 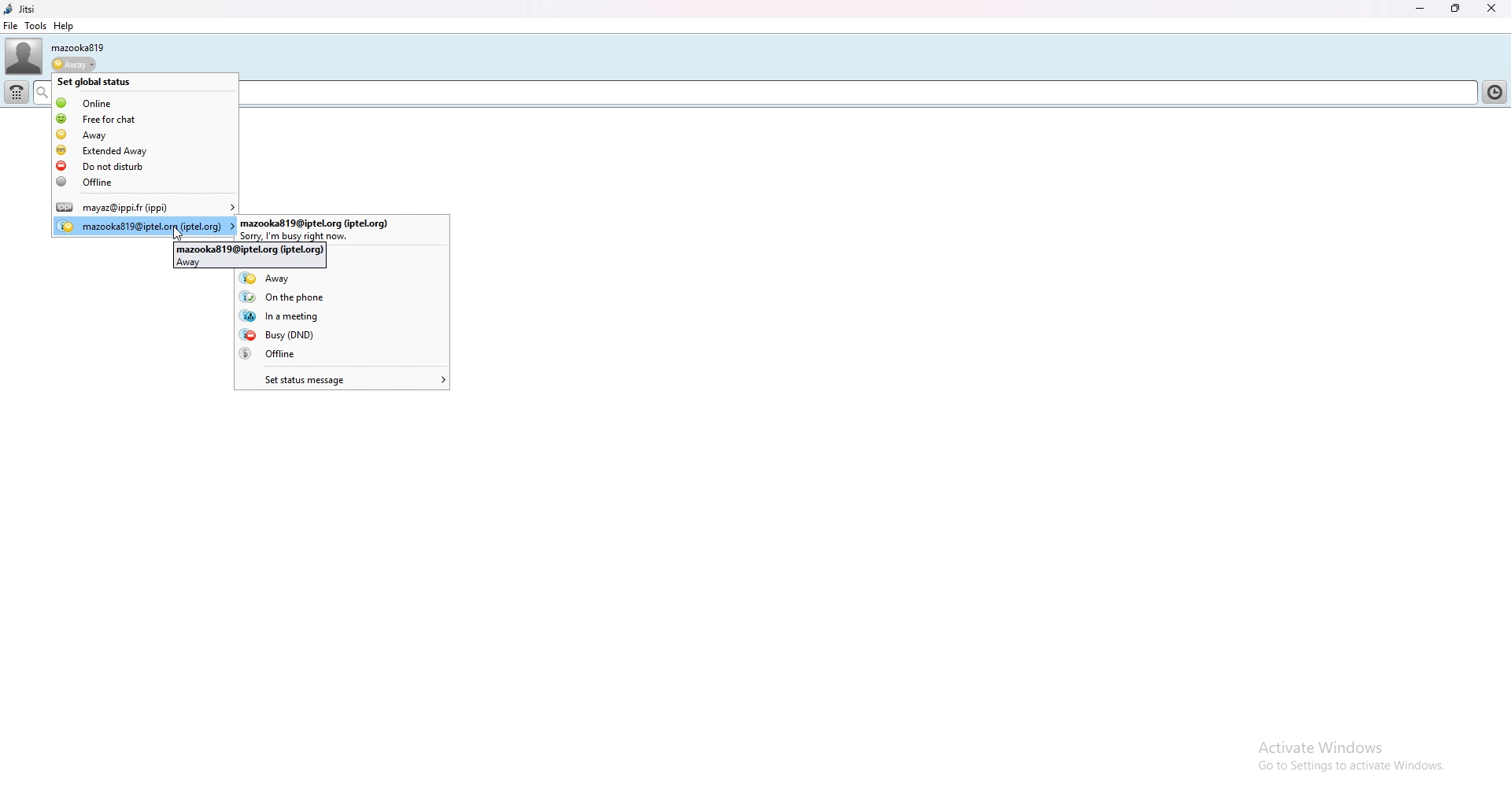 I want to click on set status message, so click(x=338, y=373).